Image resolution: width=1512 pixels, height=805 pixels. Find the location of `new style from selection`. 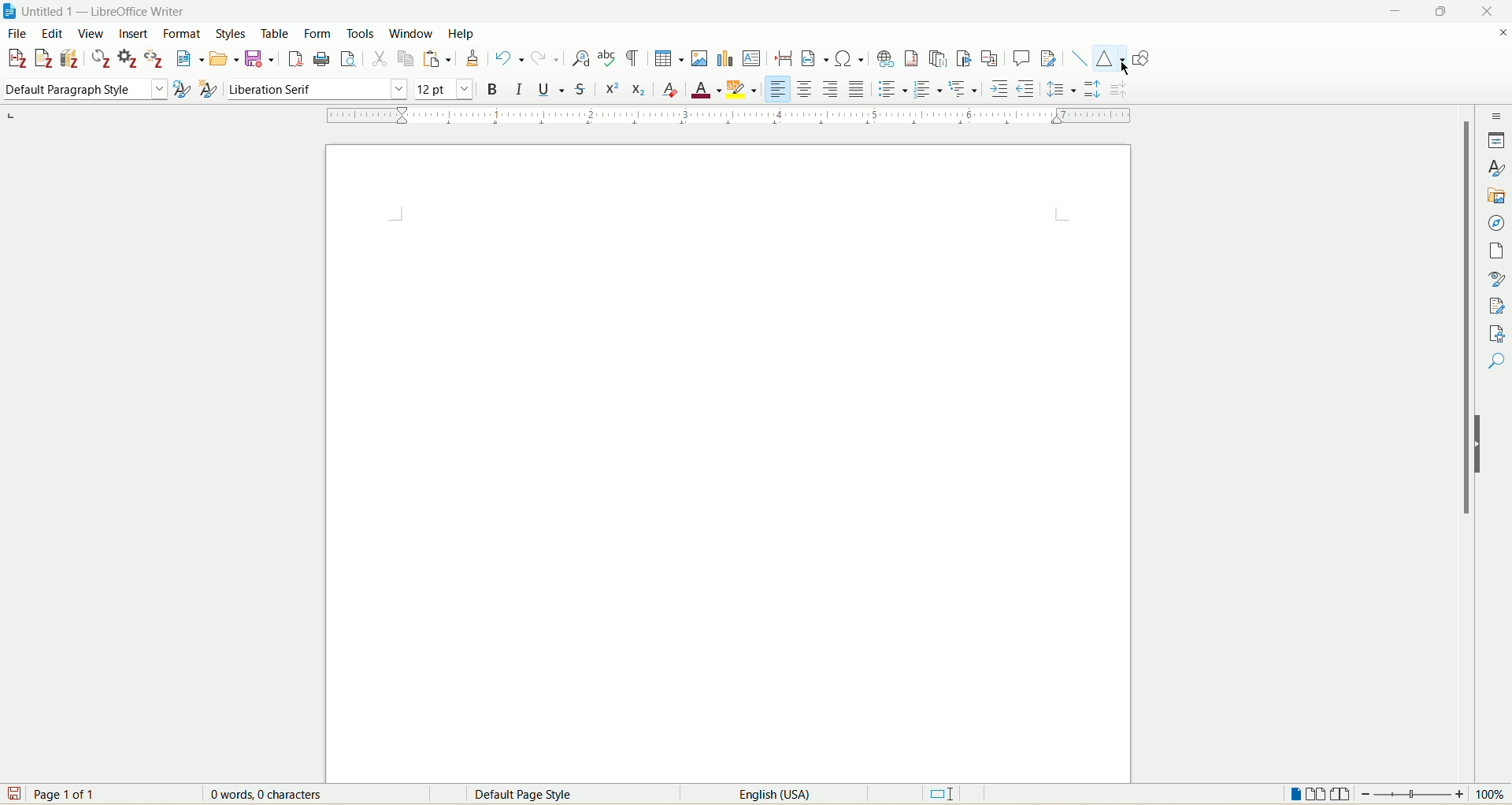

new style from selection is located at coordinates (208, 87).